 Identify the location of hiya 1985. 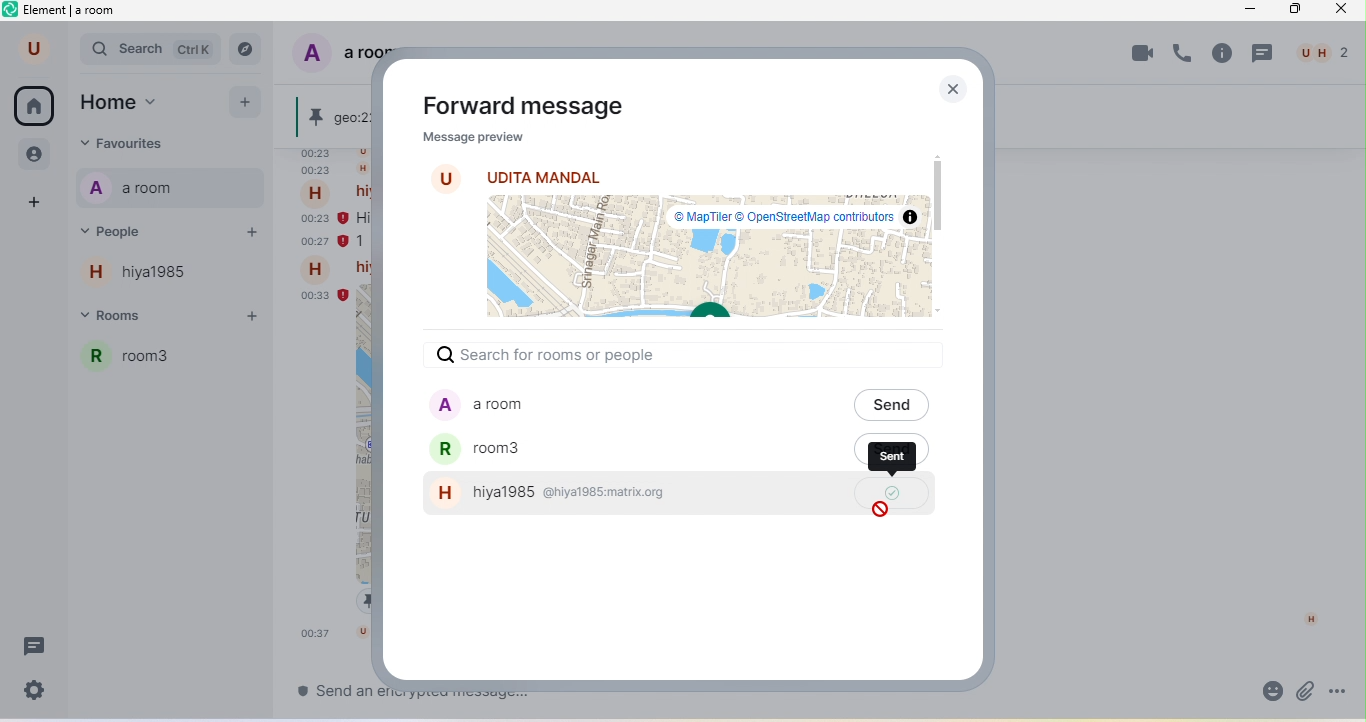
(149, 277).